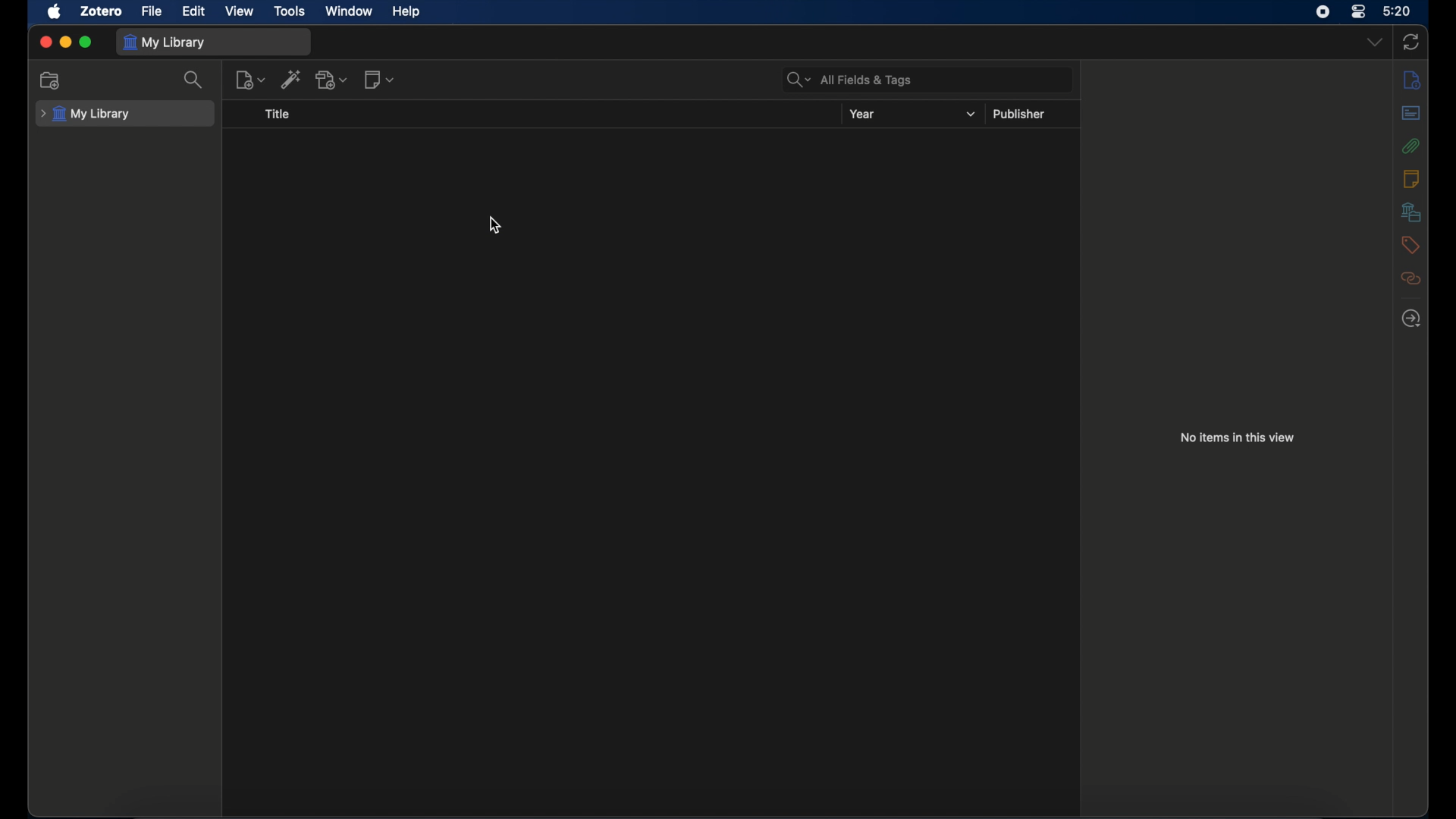 This screenshot has height=819, width=1456. Describe the element at coordinates (1411, 318) in the screenshot. I see `locate` at that location.